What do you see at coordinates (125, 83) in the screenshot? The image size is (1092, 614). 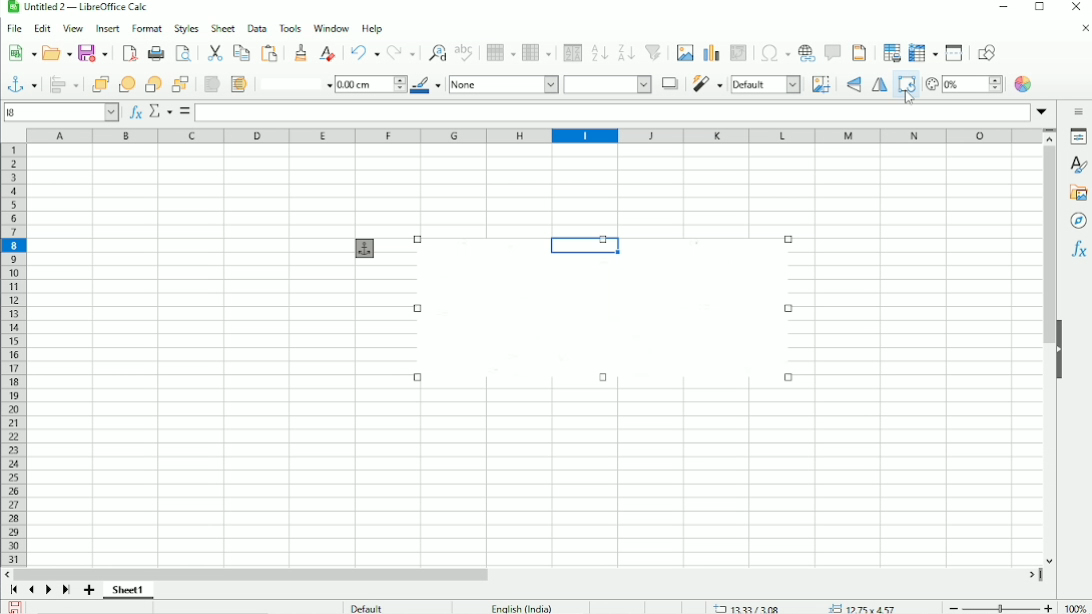 I see `Forward one` at bounding box center [125, 83].